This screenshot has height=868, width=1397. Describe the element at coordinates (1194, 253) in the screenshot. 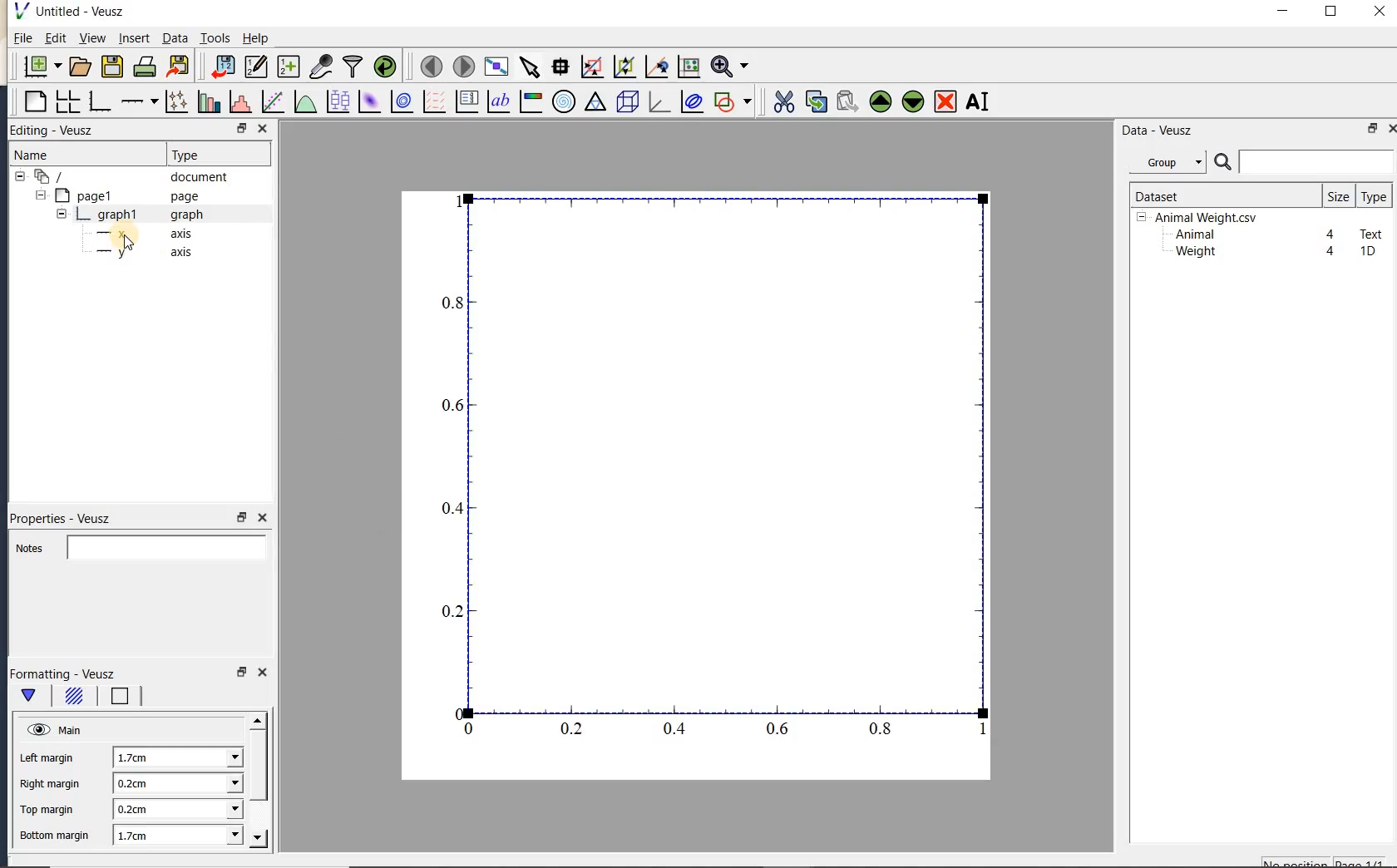

I see `Weight` at that location.